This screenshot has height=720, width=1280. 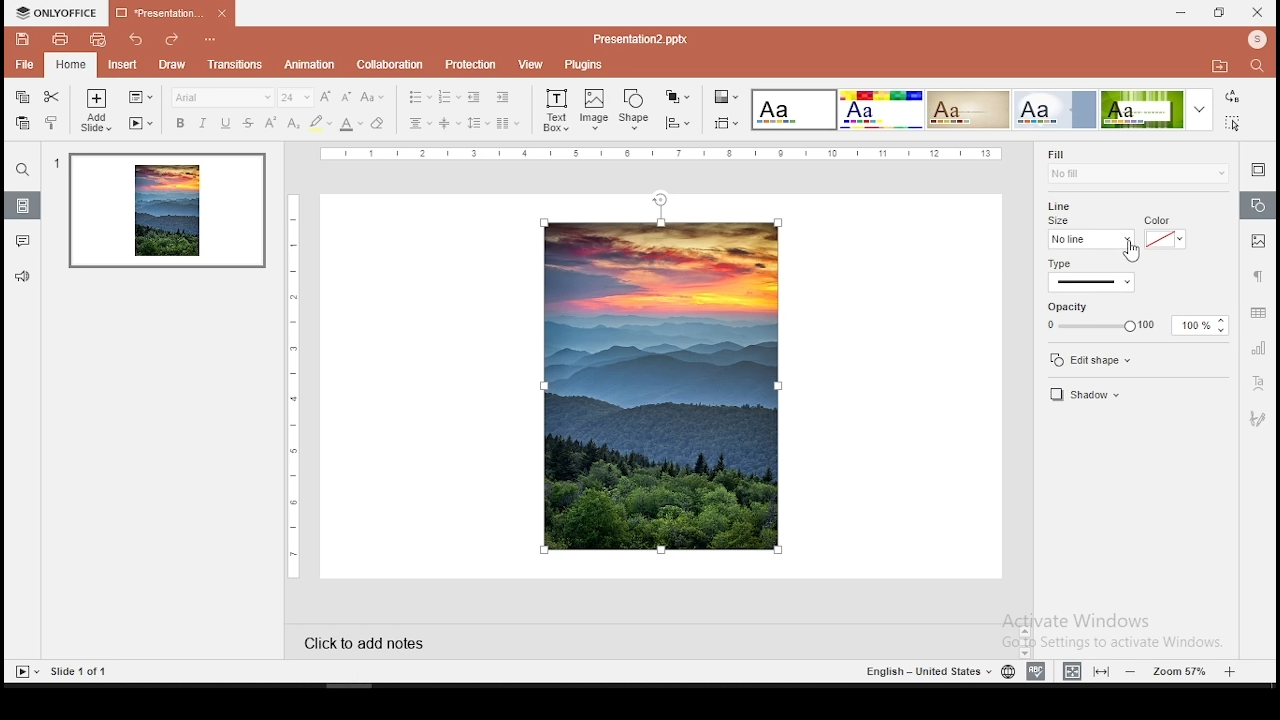 I want to click on shape, so click(x=636, y=107).